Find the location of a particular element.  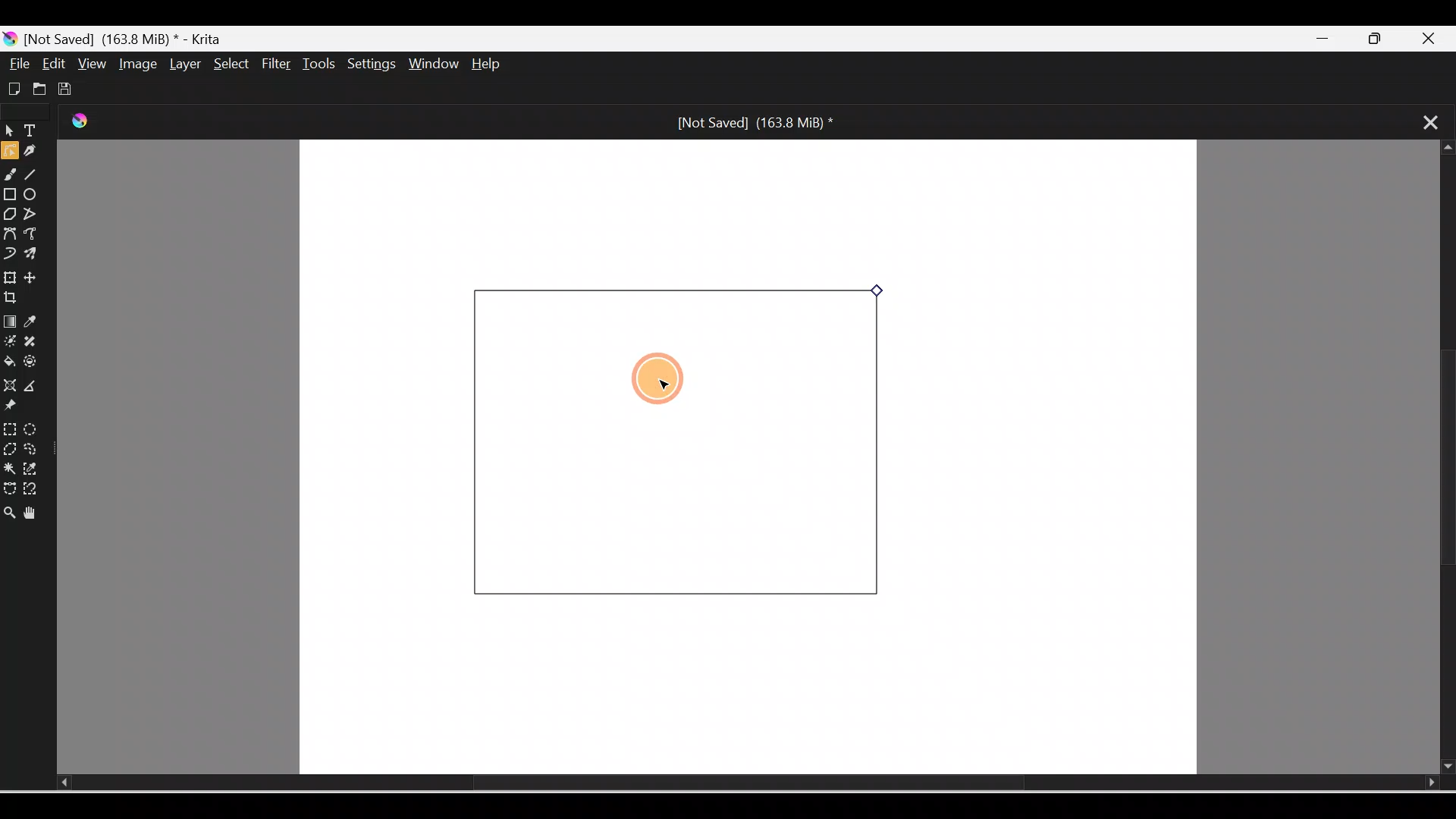

Rectangle is located at coordinates (11, 194).